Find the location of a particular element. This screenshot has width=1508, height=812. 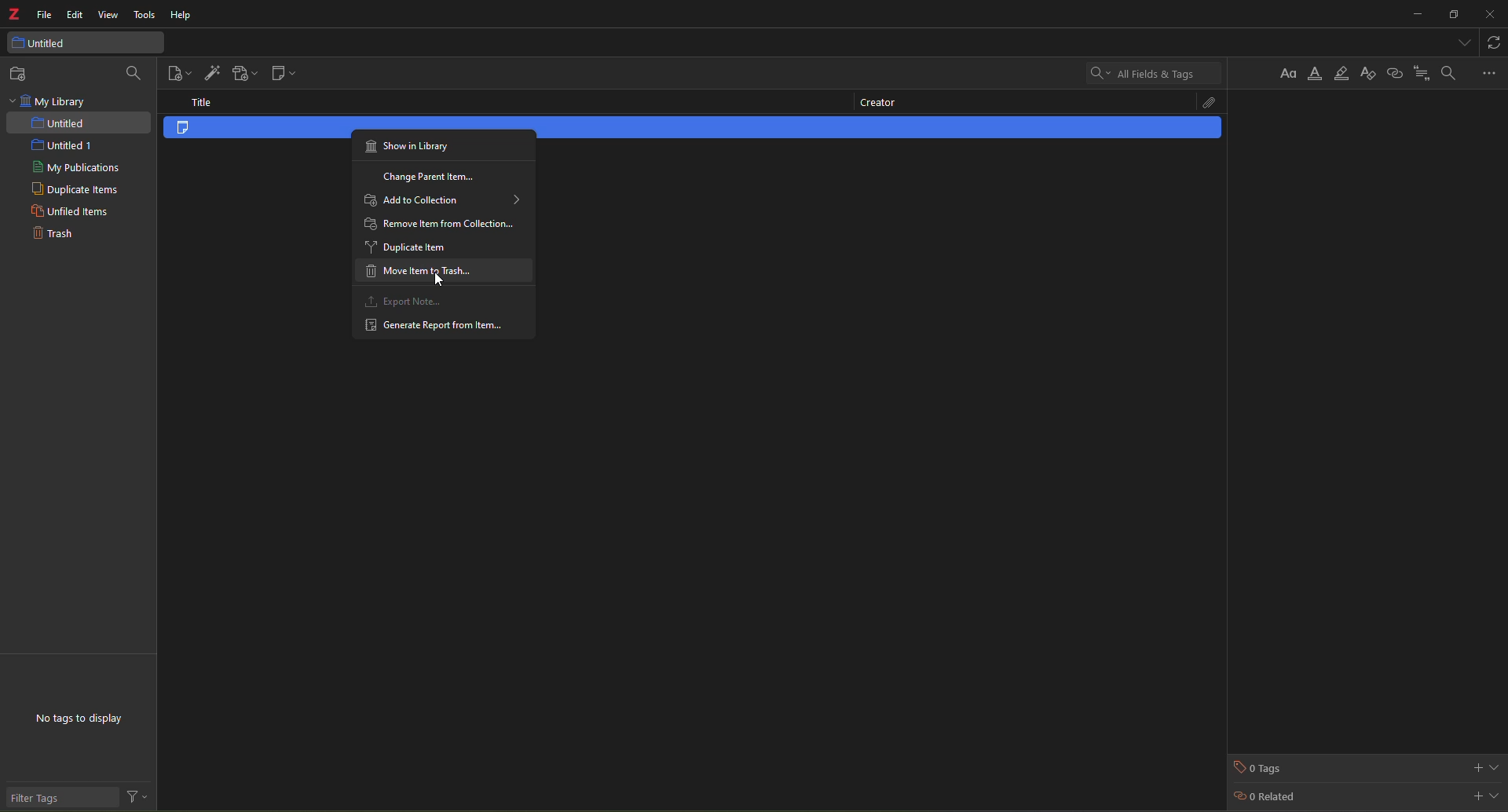

insert link is located at coordinates (1394, 73).